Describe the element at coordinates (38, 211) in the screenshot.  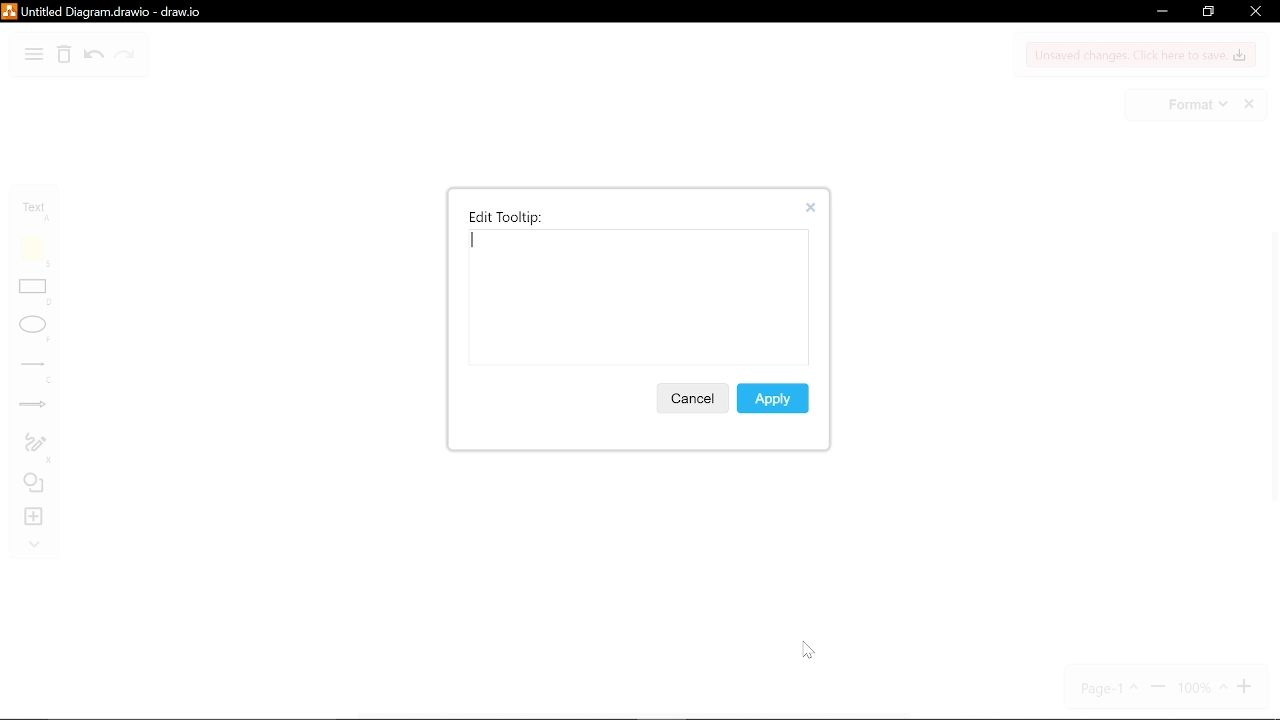
I see `text` at that location.